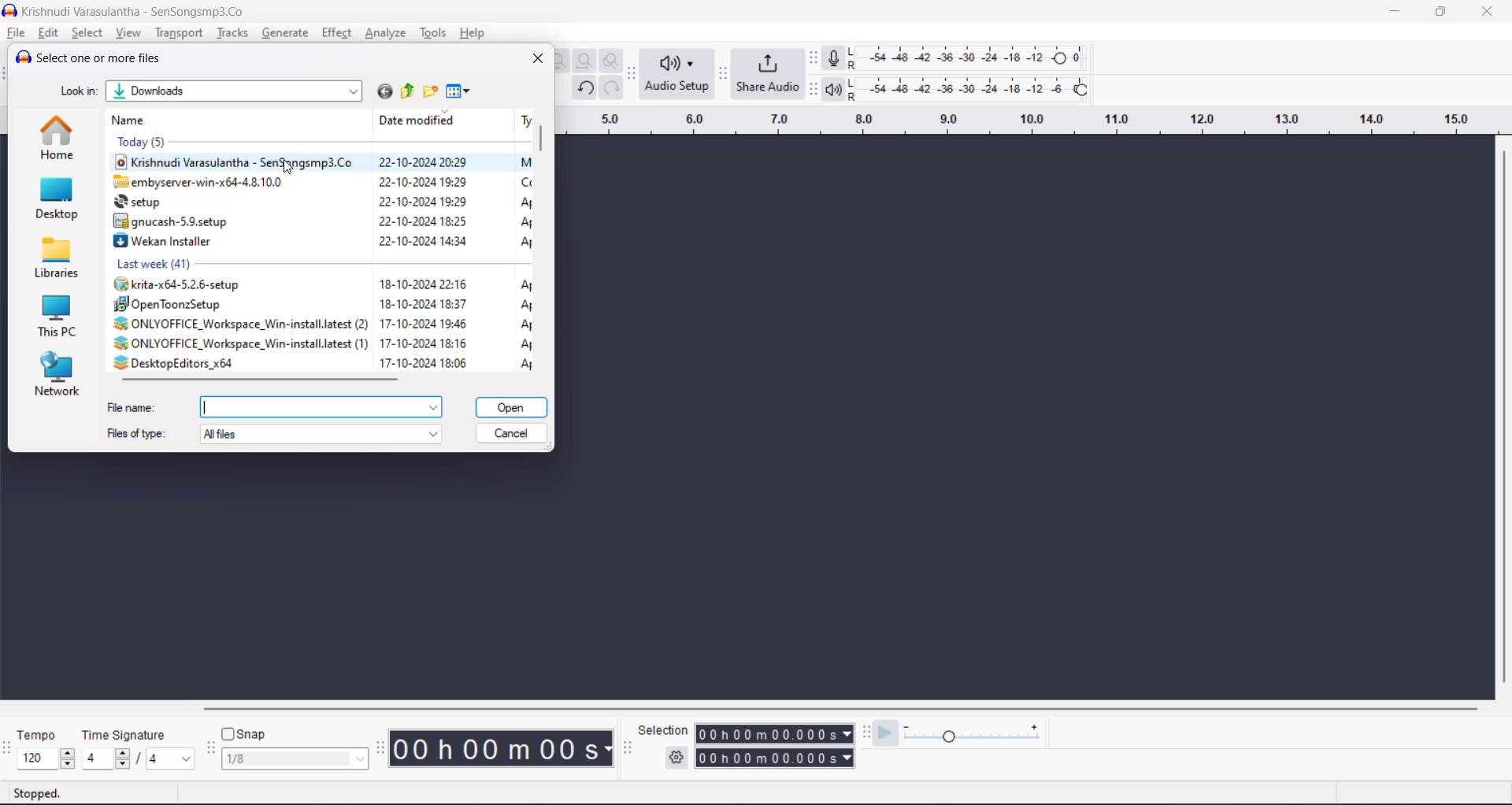  What do you see at coordinates (295, 143) in the screenshot?
I see `Today (5)` at bounding box center [295, 143].